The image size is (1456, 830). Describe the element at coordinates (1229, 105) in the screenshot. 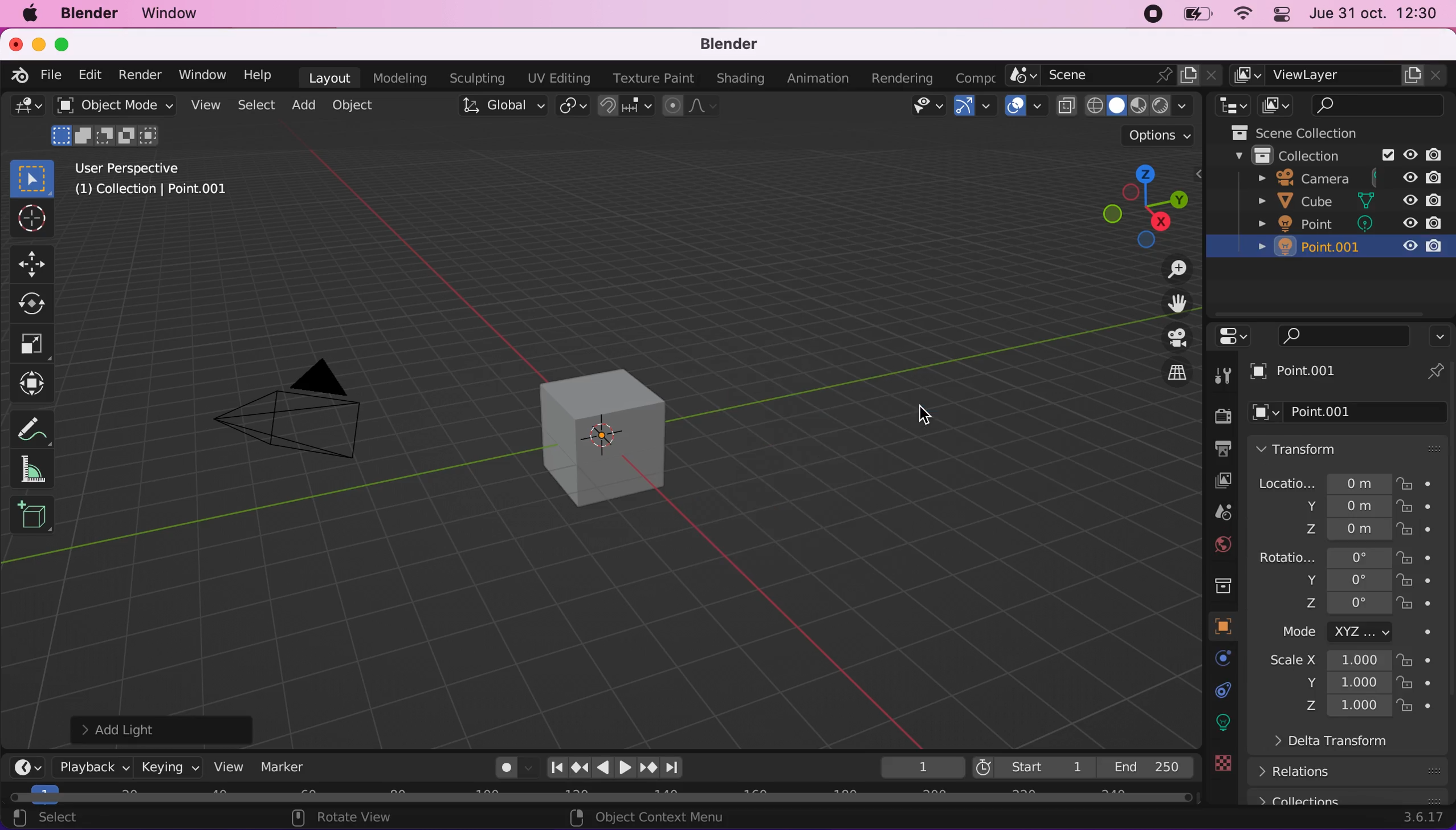

I see `editor type` at that location.